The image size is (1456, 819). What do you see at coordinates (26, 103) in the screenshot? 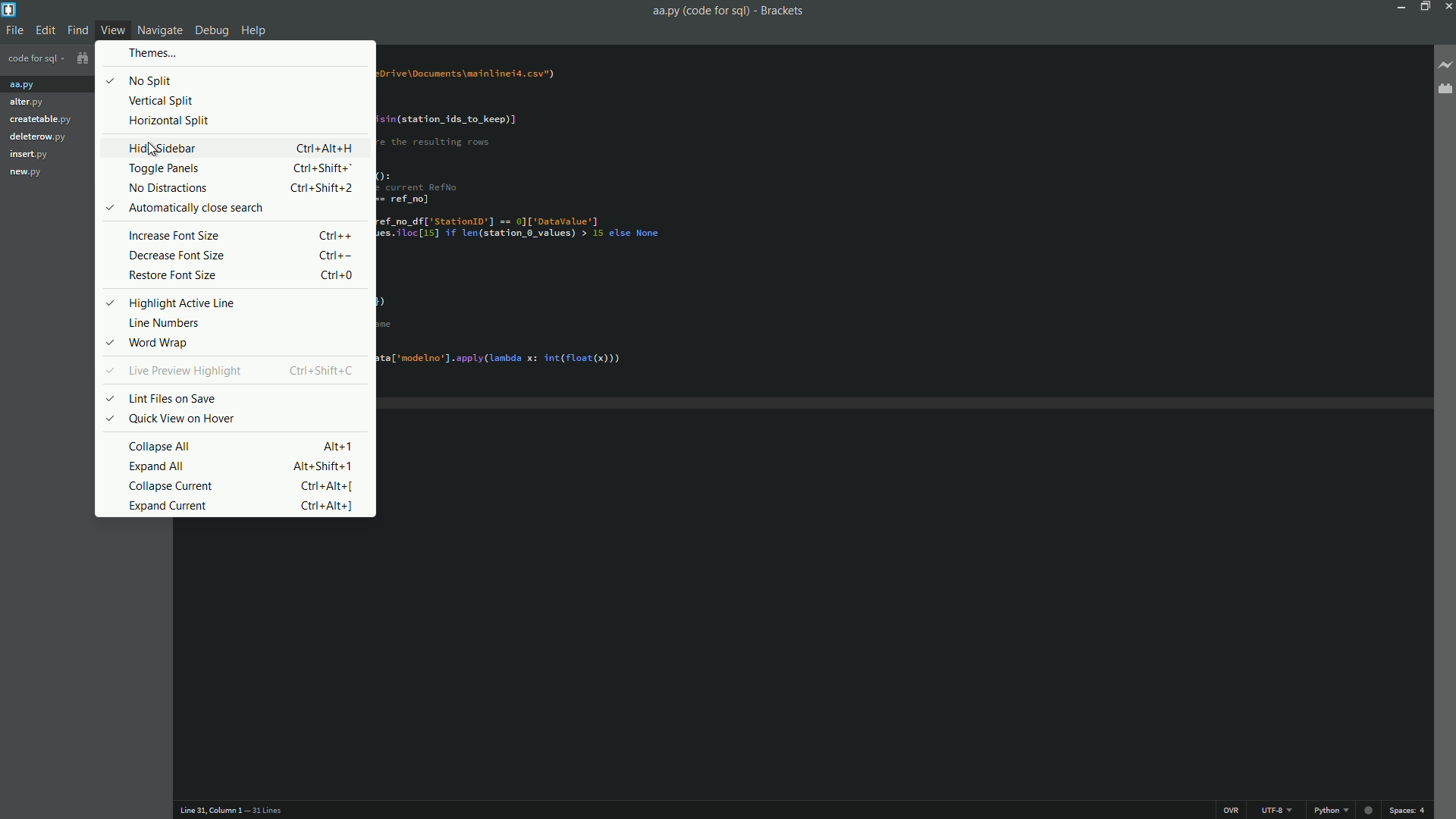
I see `alter.py` at bounding box center [26, 103].